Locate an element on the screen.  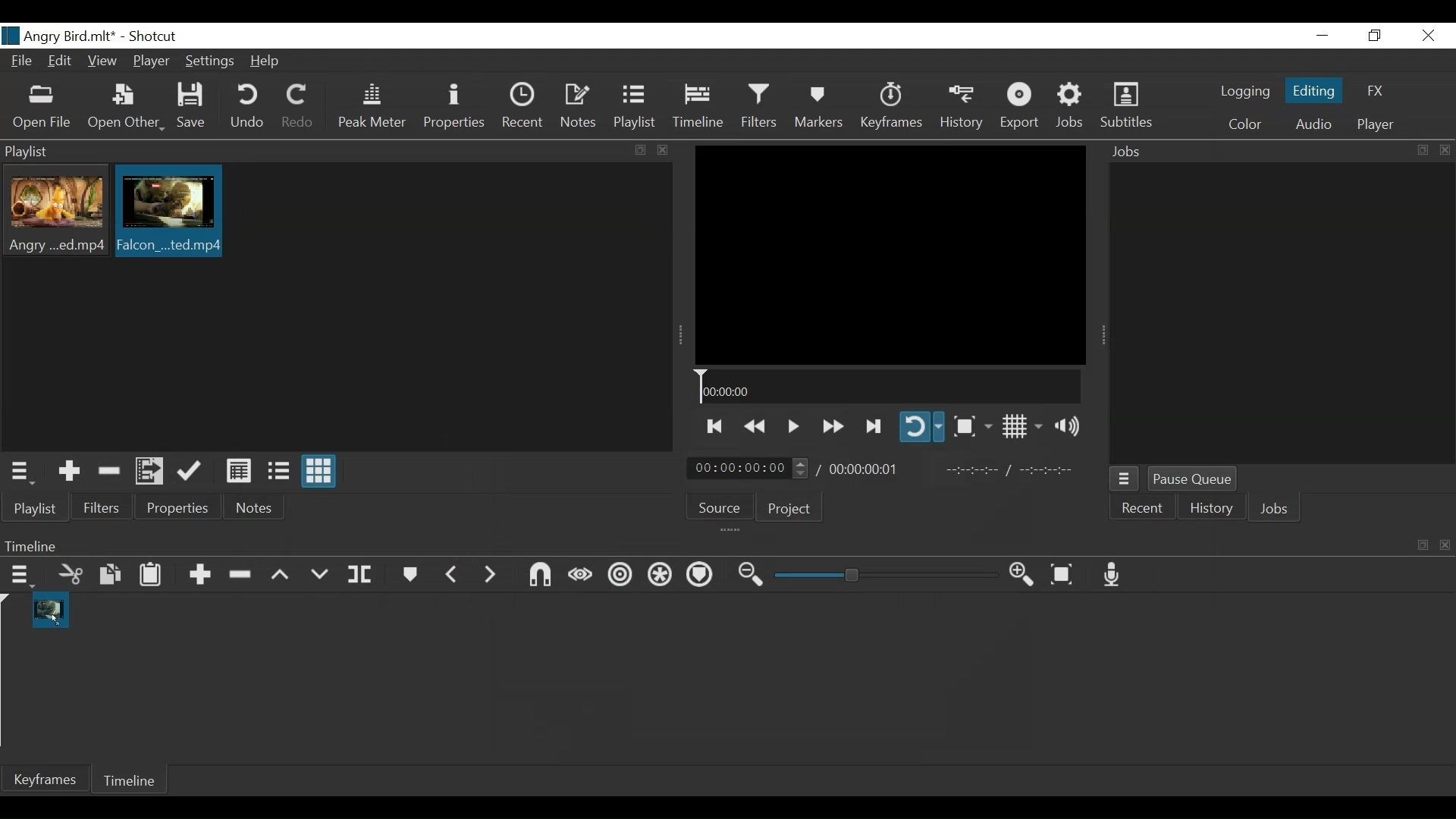
Jobs is located at coordinates (1071, 106).